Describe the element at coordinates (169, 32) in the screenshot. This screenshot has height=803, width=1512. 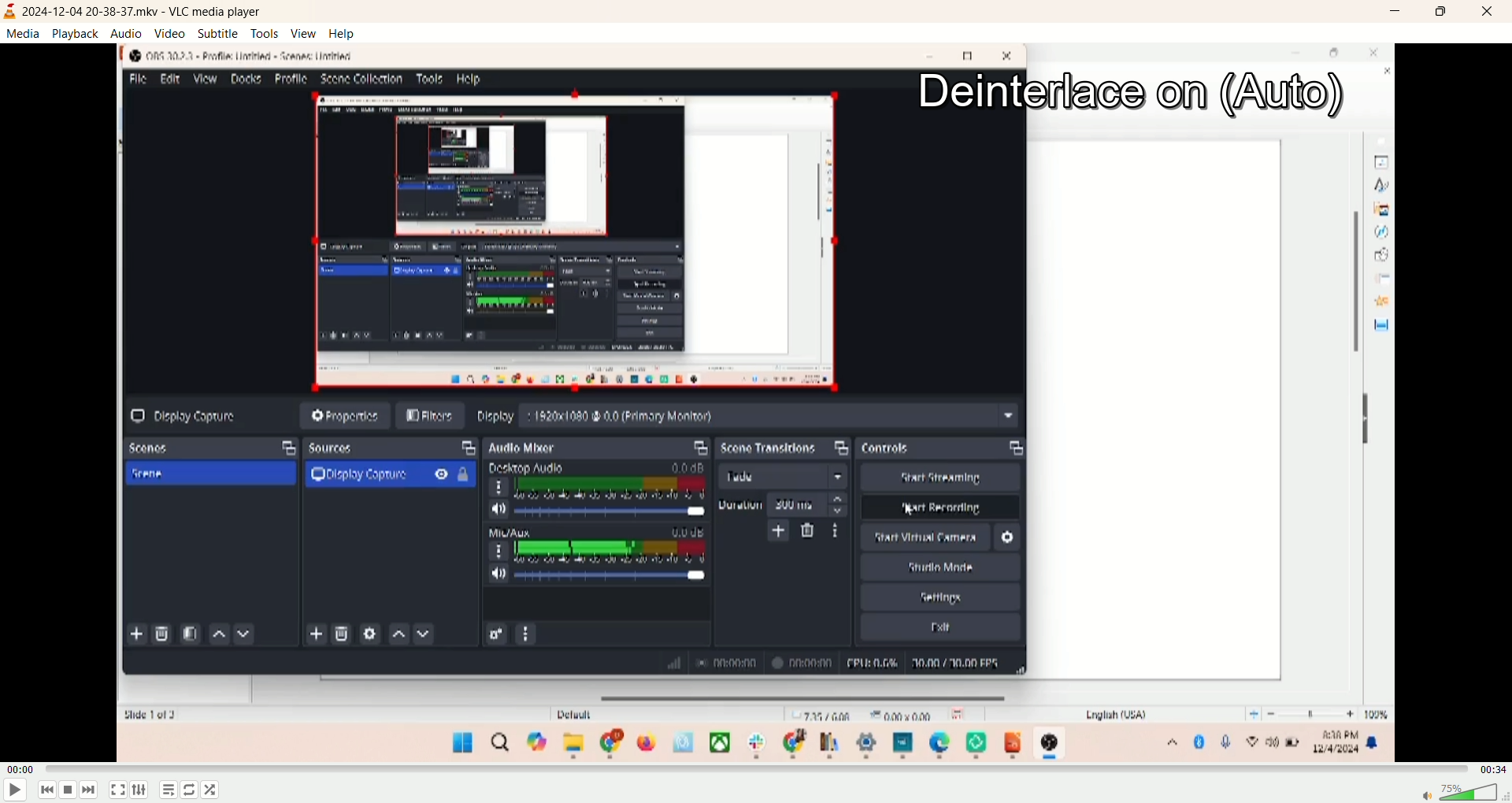
I see `video` at that location.